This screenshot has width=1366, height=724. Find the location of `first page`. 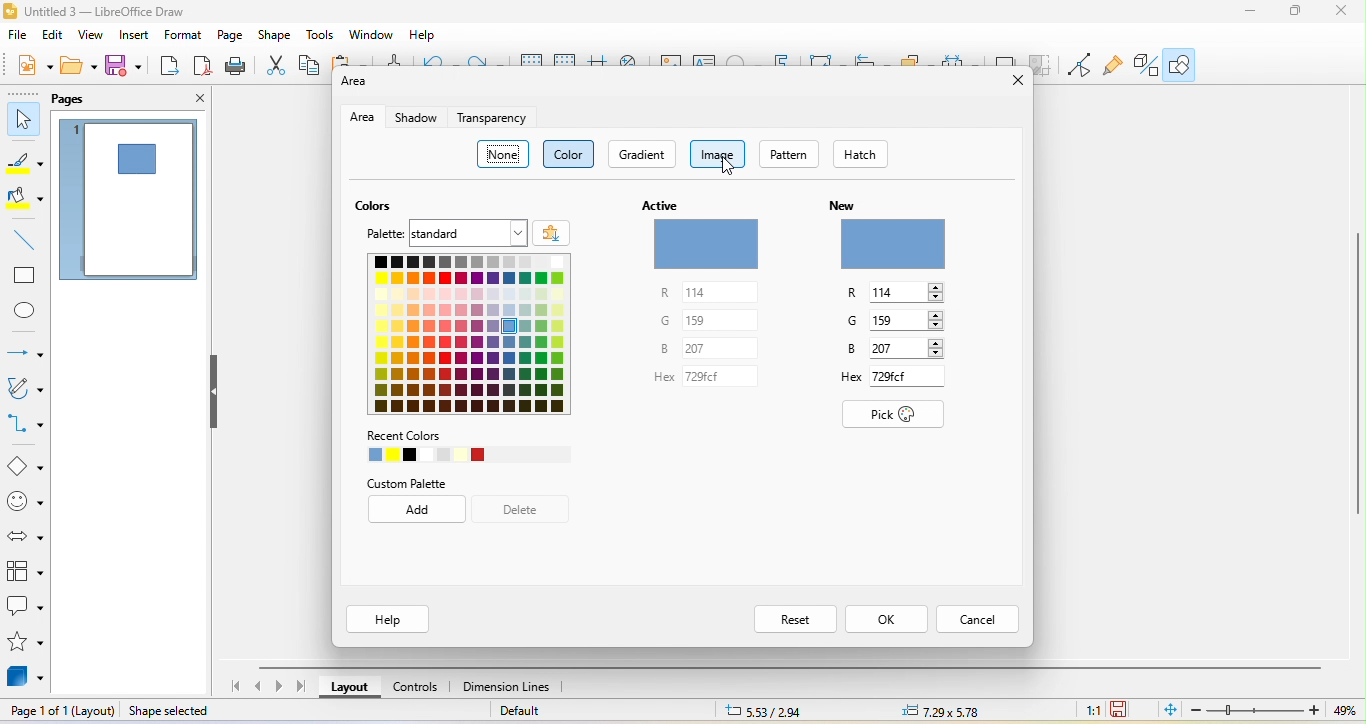

first page is located at coordinates (234, 685).